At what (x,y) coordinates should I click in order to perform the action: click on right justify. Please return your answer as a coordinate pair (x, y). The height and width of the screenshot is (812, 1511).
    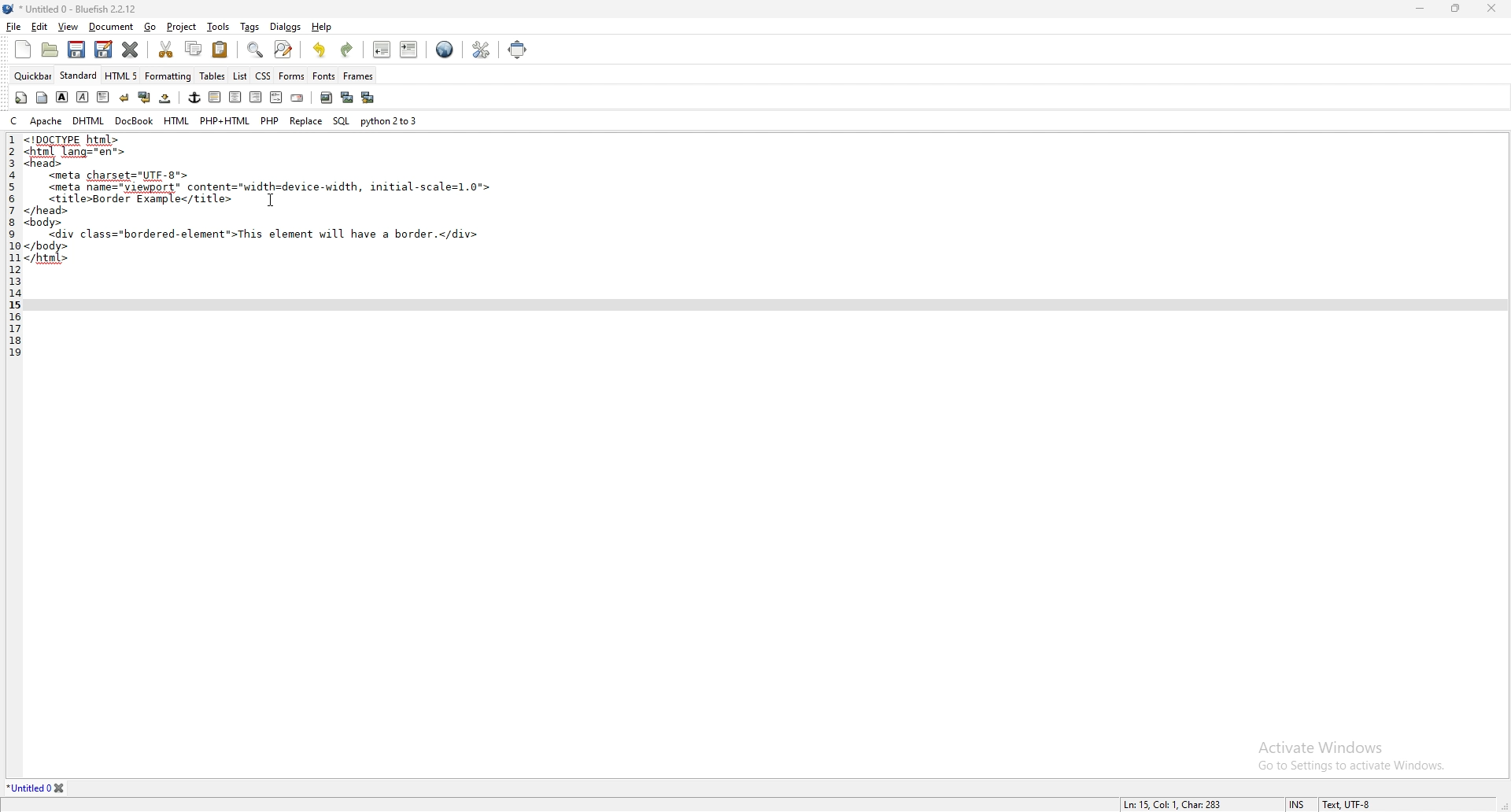
    Looking at the image, I should click on (256, 96).